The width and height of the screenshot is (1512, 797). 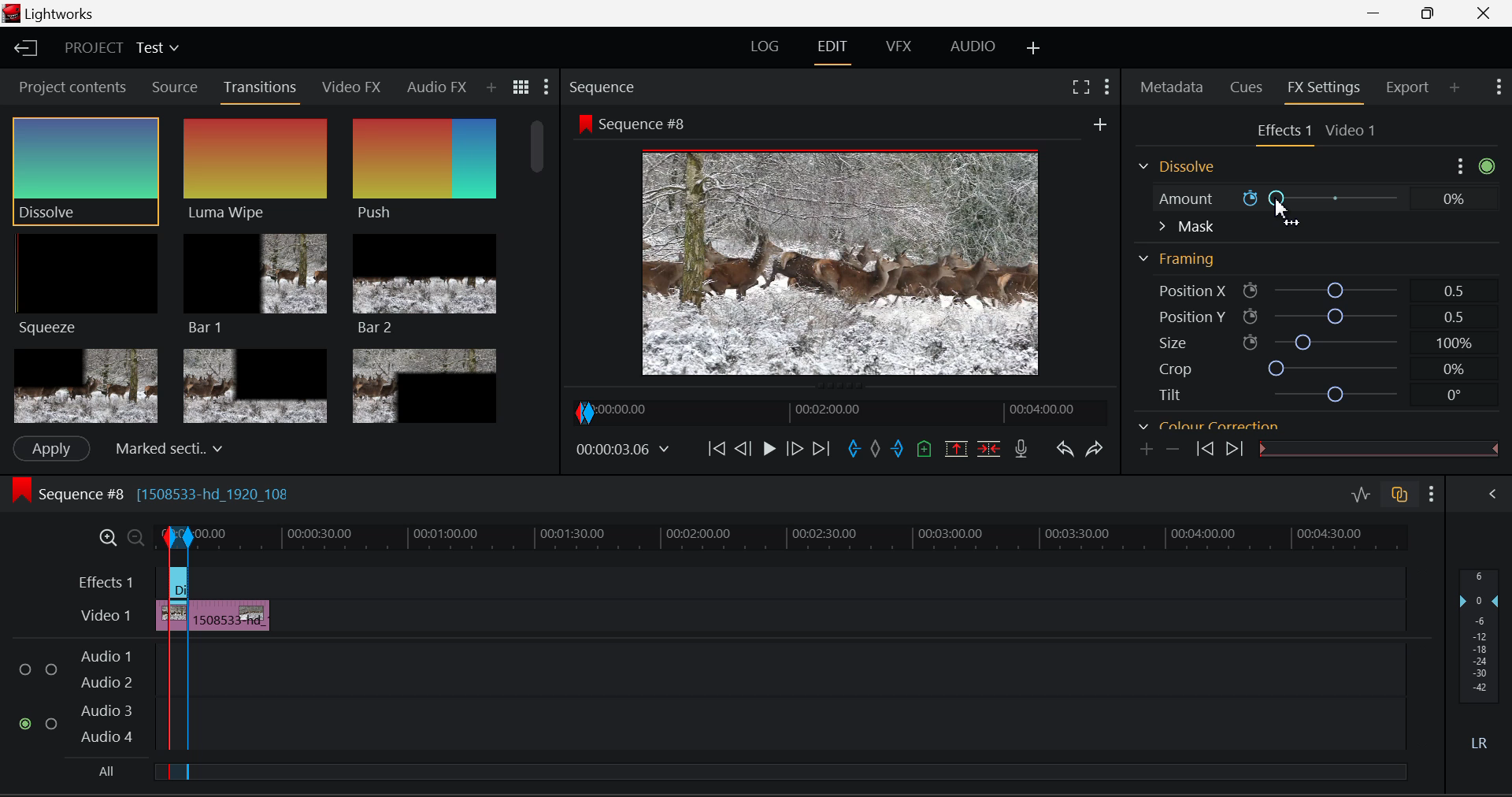 I want to click on Show Settings, so click(x=1499, y=87).